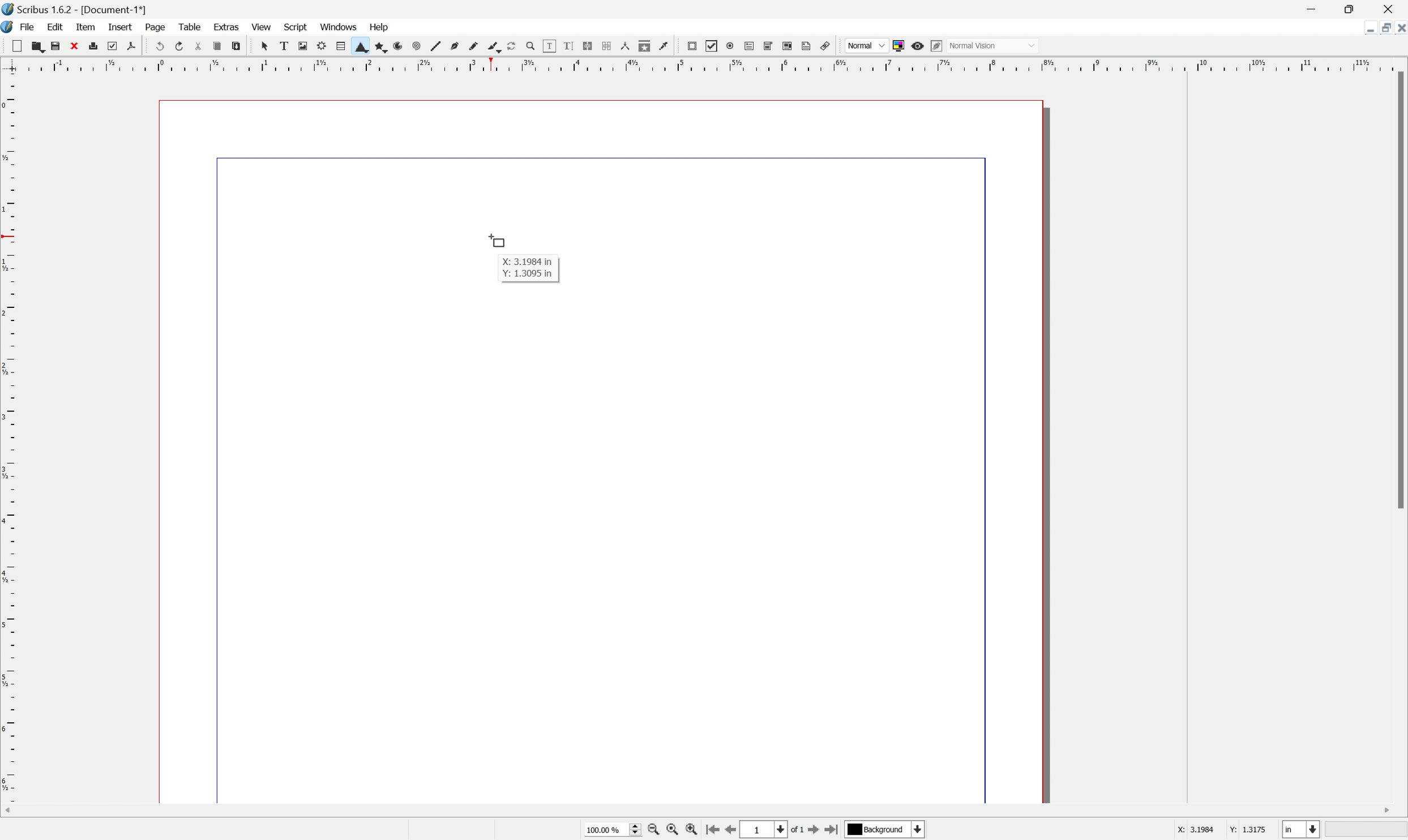  I want to click on Y: 1.3175, so click(1251, 830).